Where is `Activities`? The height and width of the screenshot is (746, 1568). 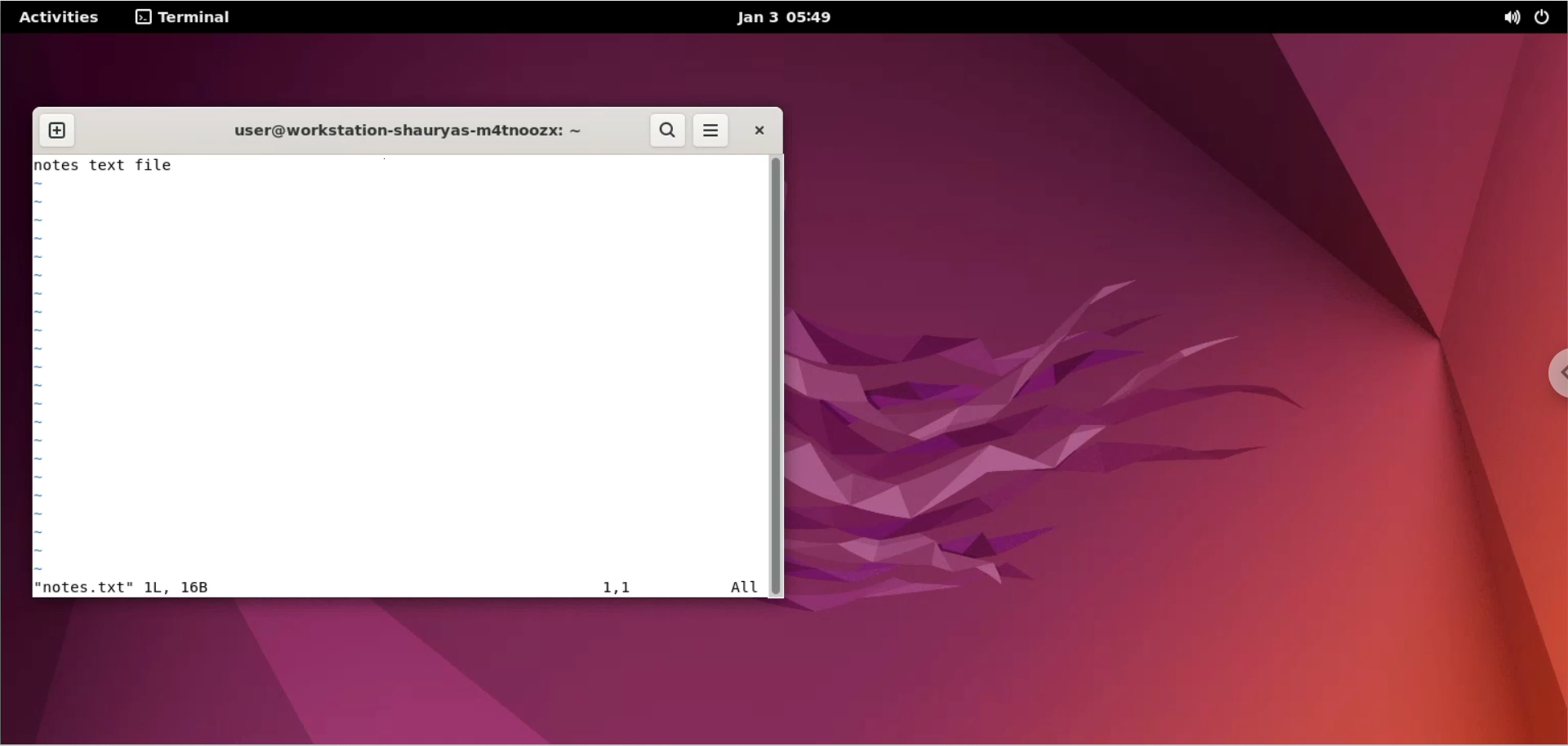
Activities is located at coordinates (60, 18).